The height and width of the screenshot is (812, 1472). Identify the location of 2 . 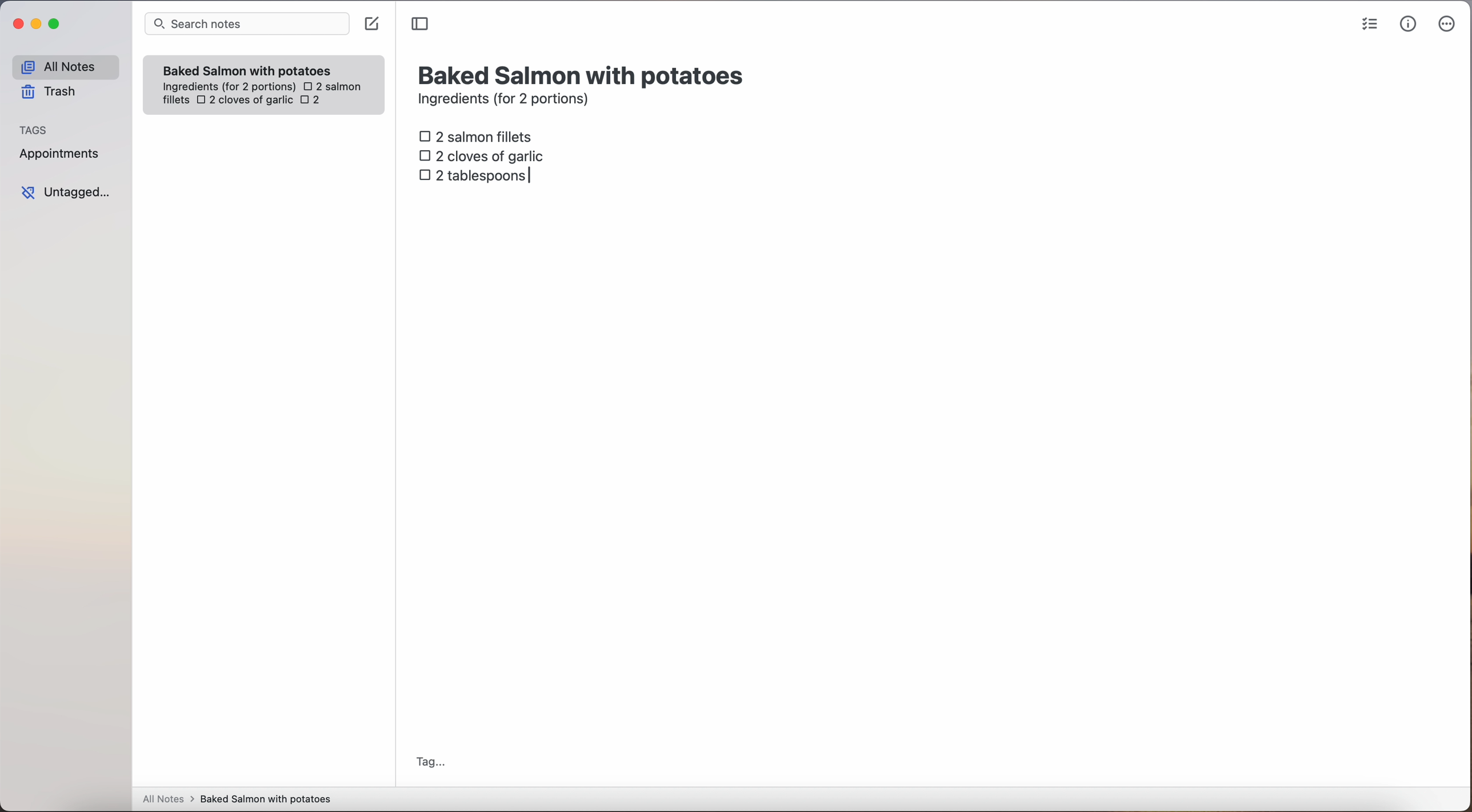
(314, 101).